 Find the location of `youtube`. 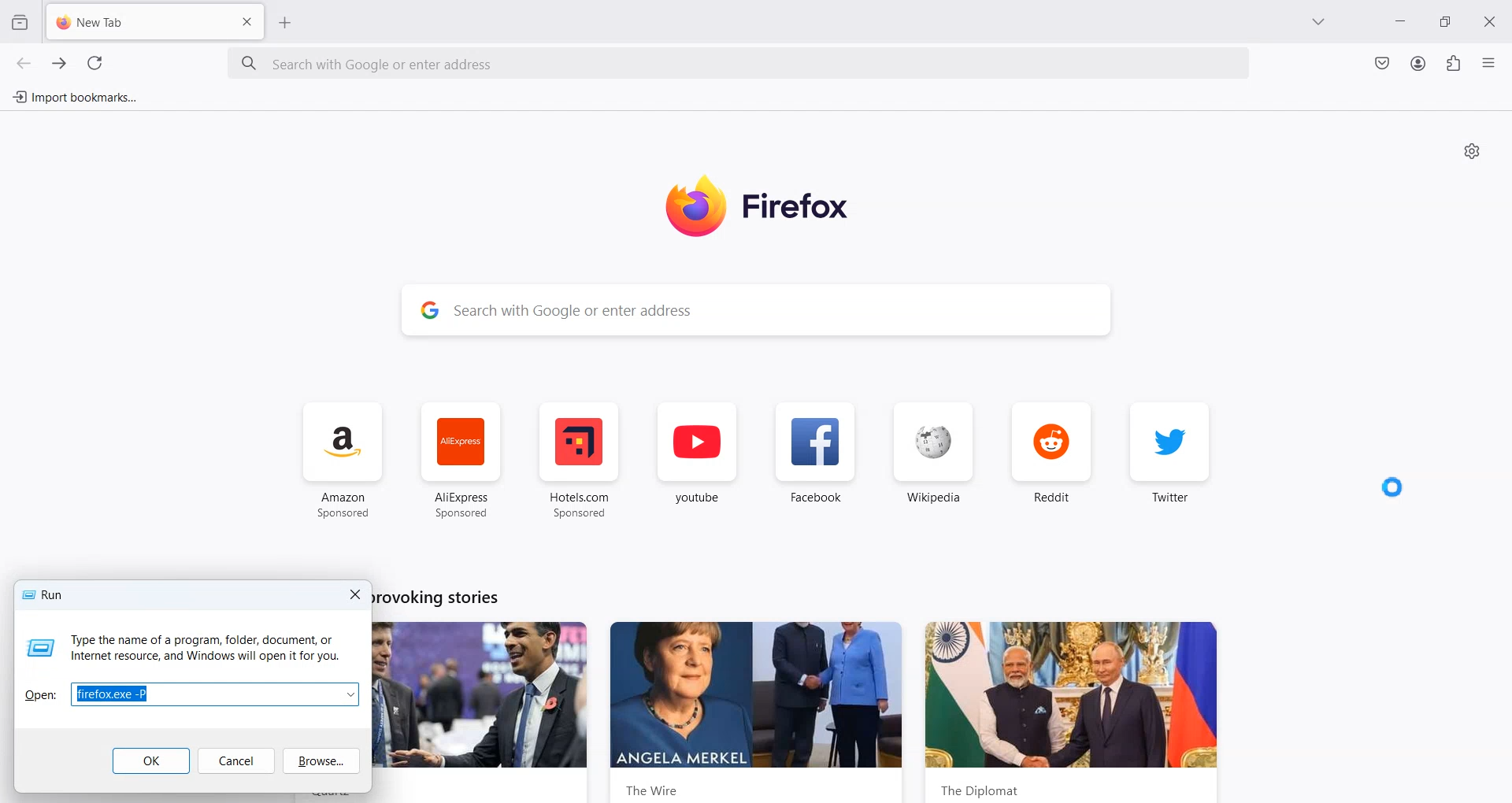

youtube is located at coordinates (698, 463).